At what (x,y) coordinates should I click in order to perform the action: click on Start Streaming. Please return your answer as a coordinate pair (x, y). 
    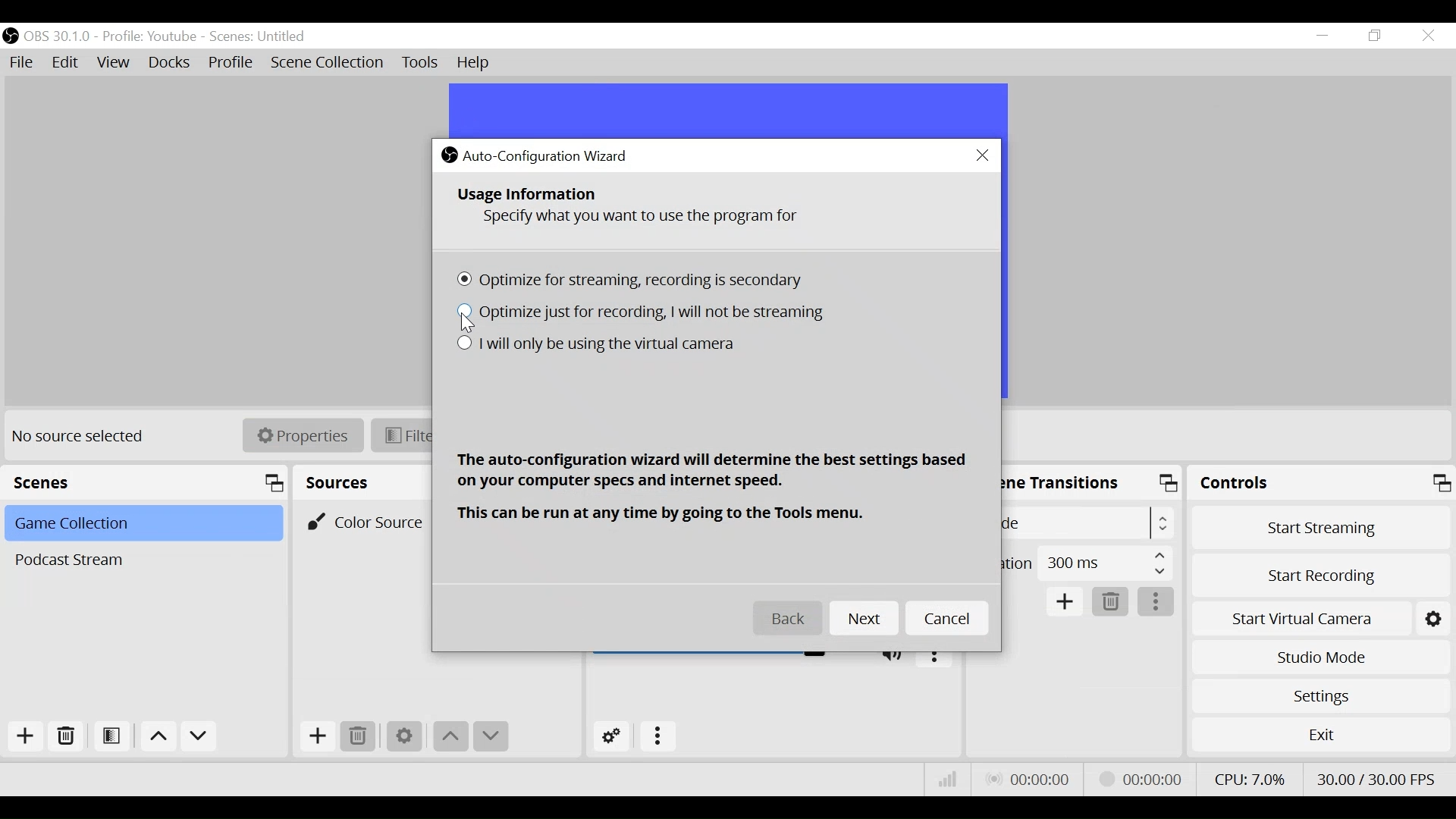
    Looking at the image, I should click on (1317, 526).